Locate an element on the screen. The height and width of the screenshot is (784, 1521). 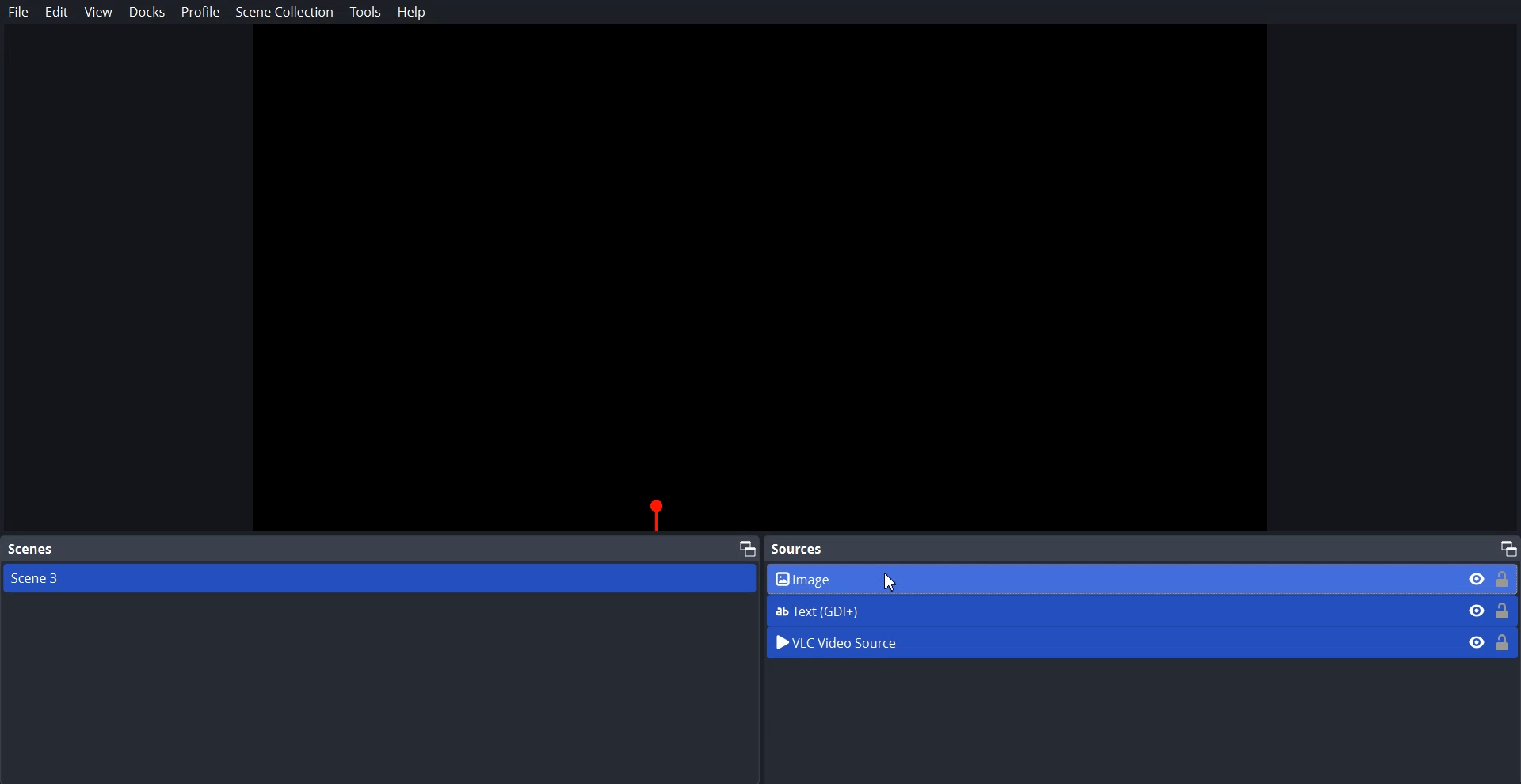
Docks is located at coordinates (147, 12).